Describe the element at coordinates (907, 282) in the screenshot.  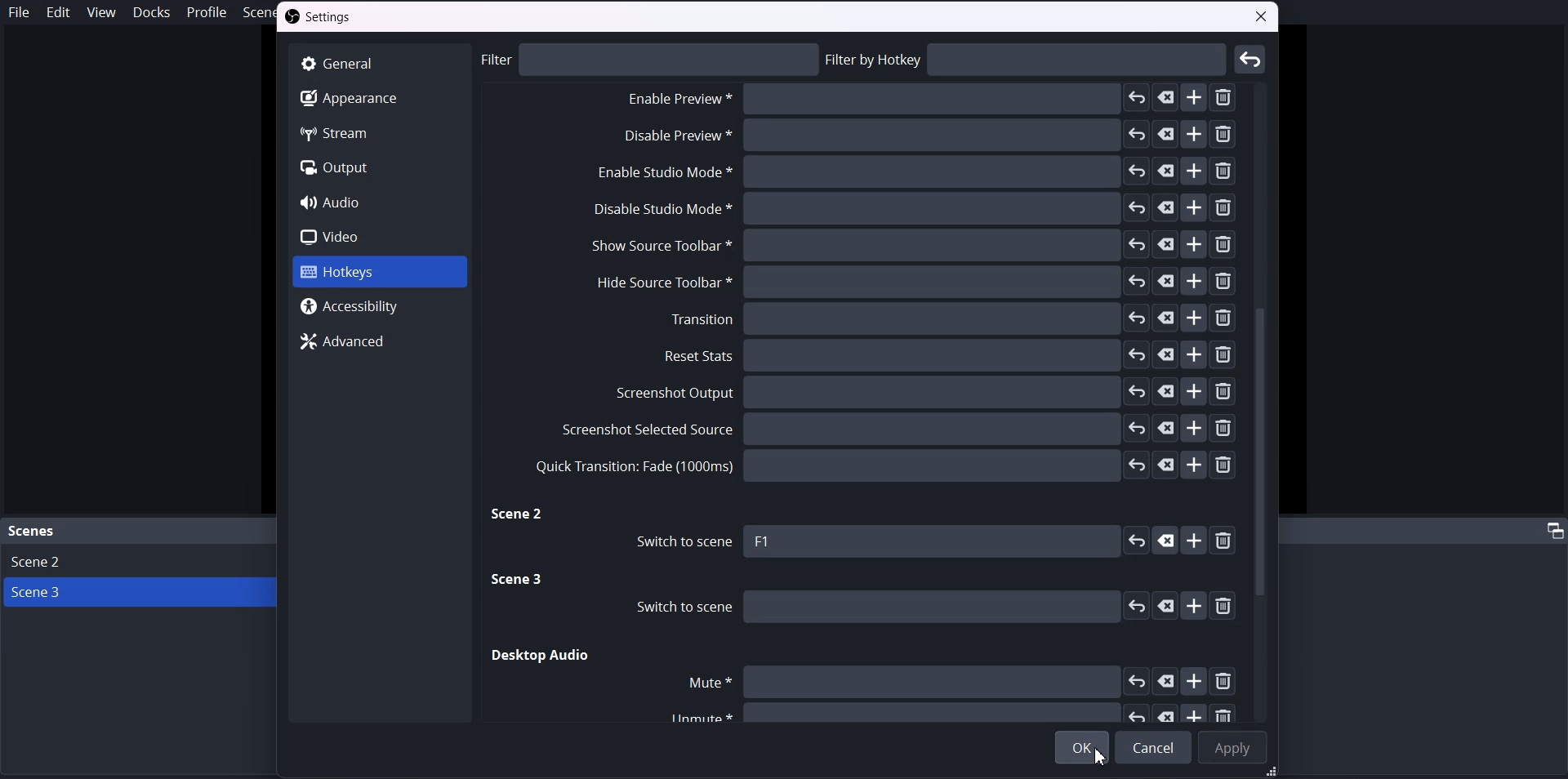
I see `Hide source toolbar` at that location.